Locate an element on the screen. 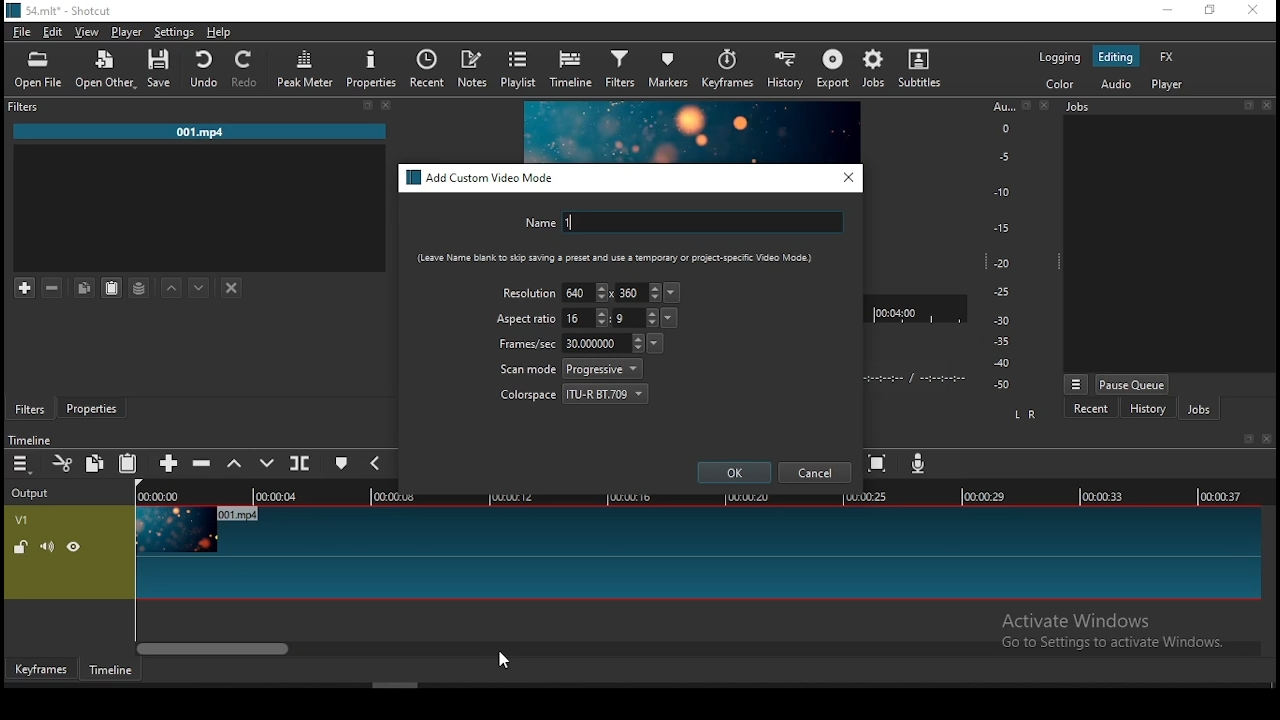 Image resolution: width=1280 pixels, height=720 pixels. save is located at coordinates (164, 69).